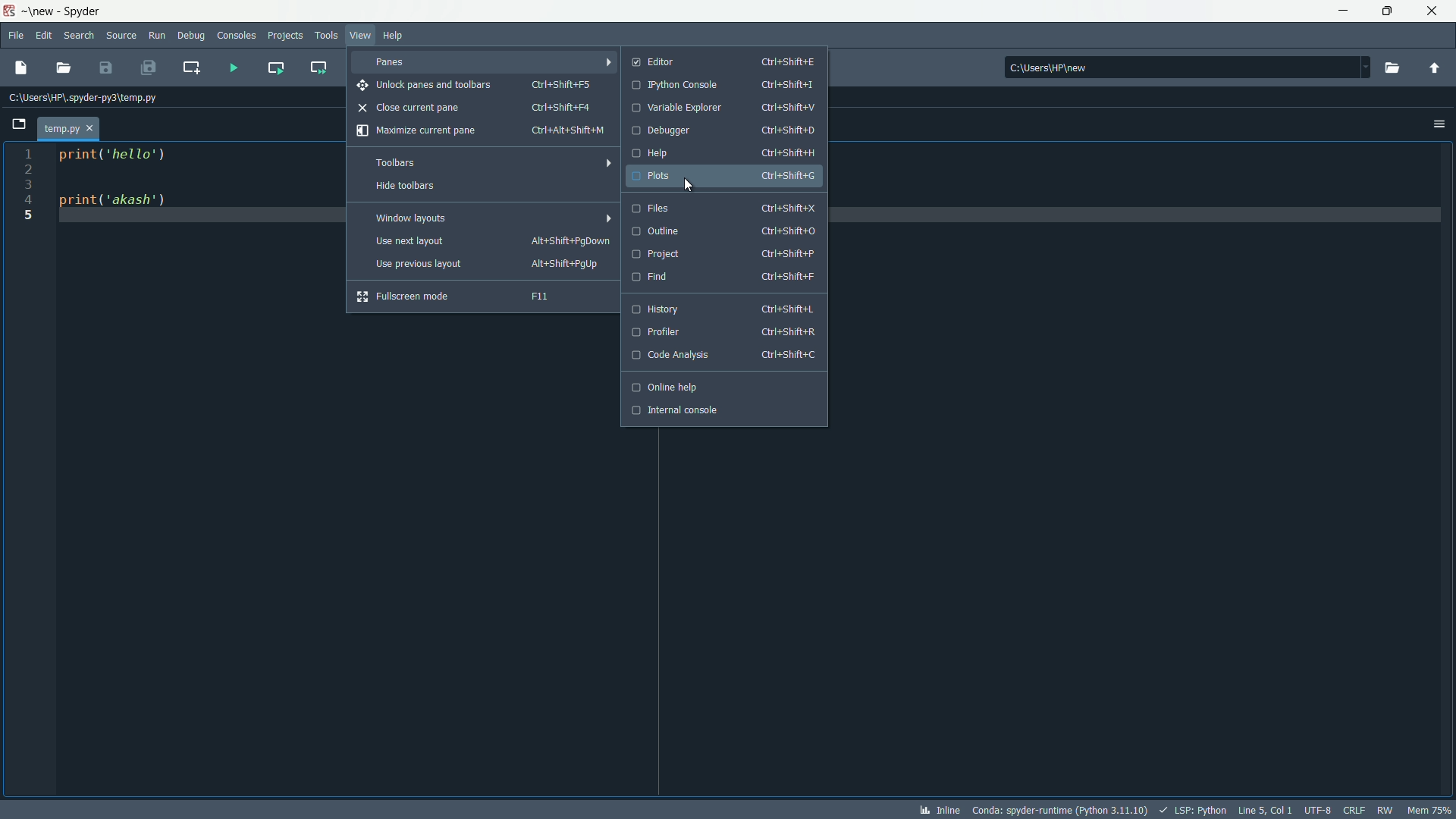 The height and width of the screenshot is (819, 1456). What do you see at coordinates (26, 187) in the screenshot?
I see `line number` at bounding box center [26, 187].